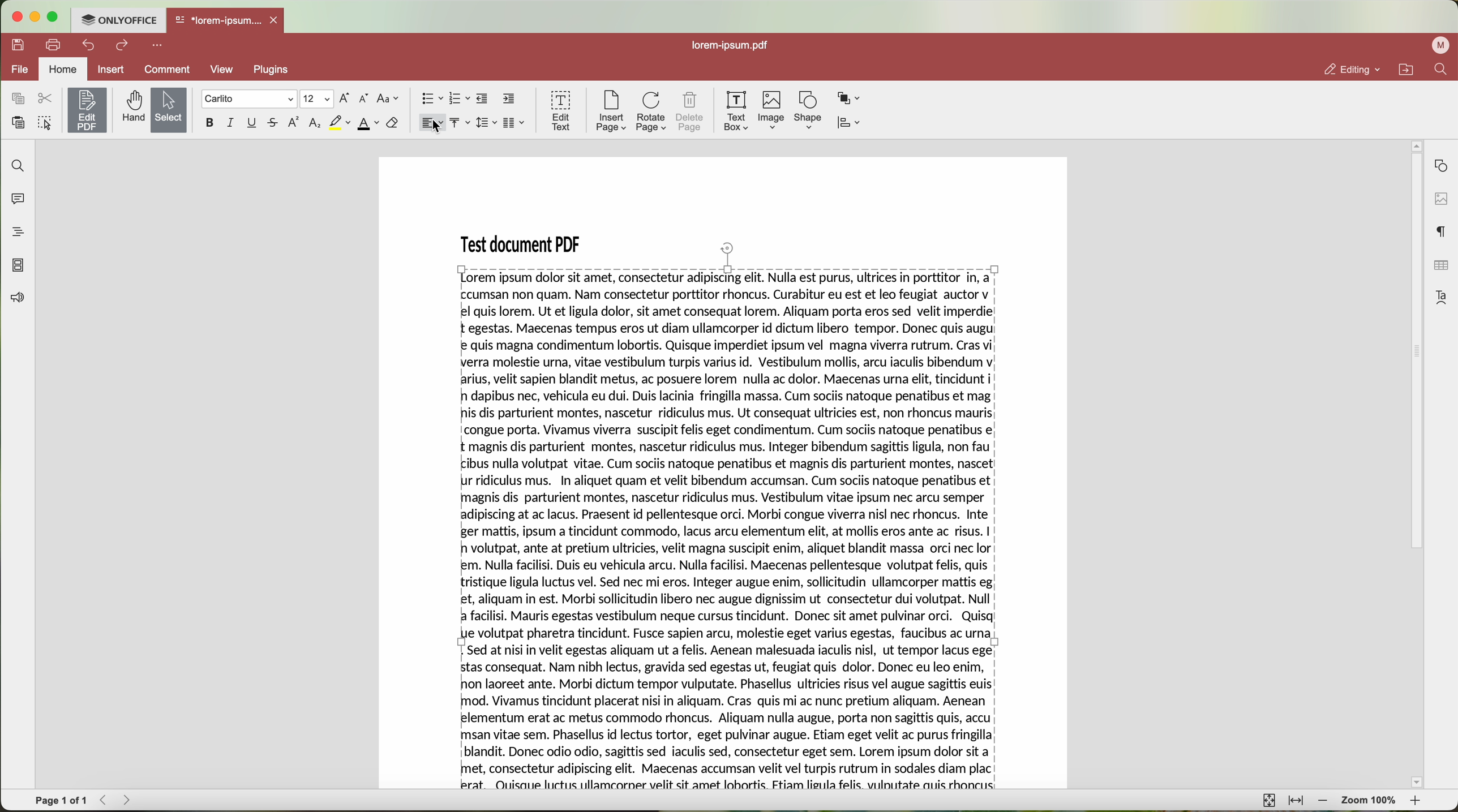  I want to click on edit PDF, so click(87, 110).